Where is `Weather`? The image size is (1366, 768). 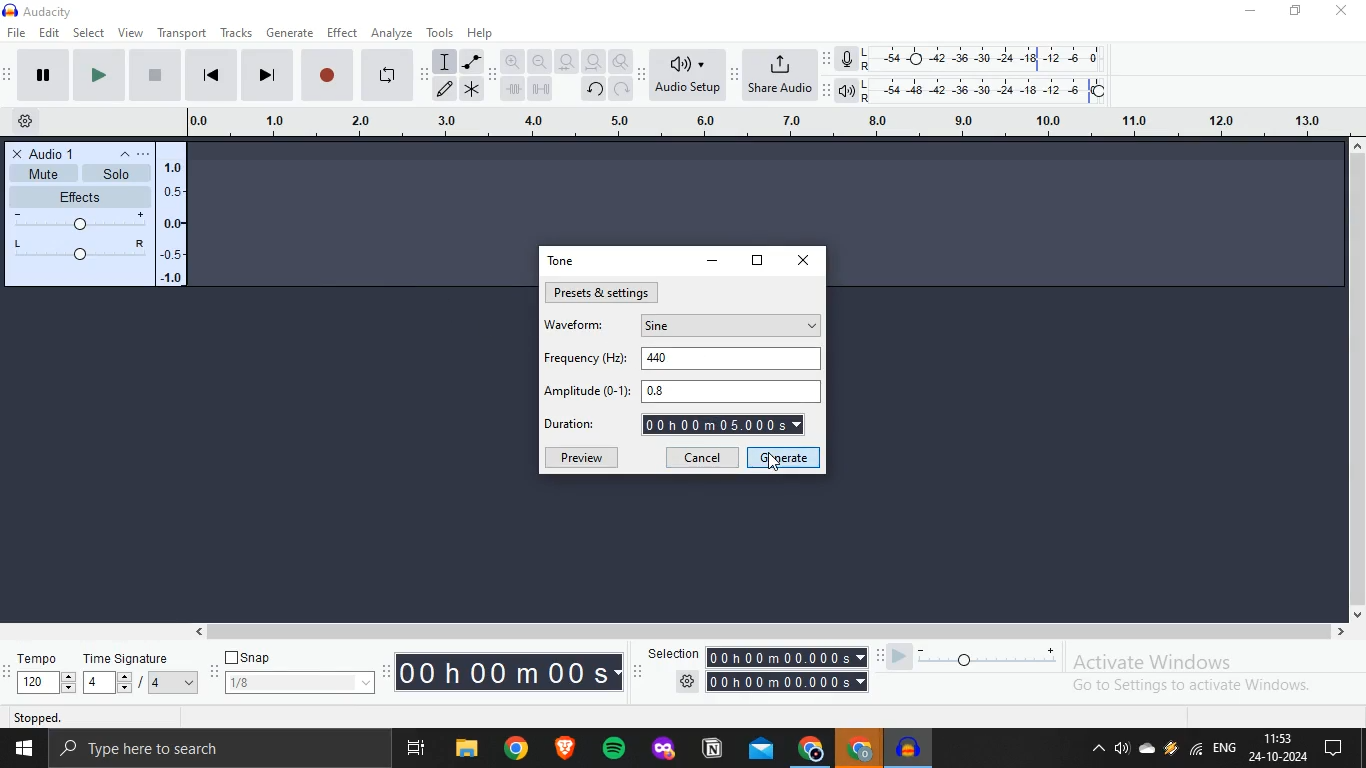 Weather is located at coordinates (1171, 750).